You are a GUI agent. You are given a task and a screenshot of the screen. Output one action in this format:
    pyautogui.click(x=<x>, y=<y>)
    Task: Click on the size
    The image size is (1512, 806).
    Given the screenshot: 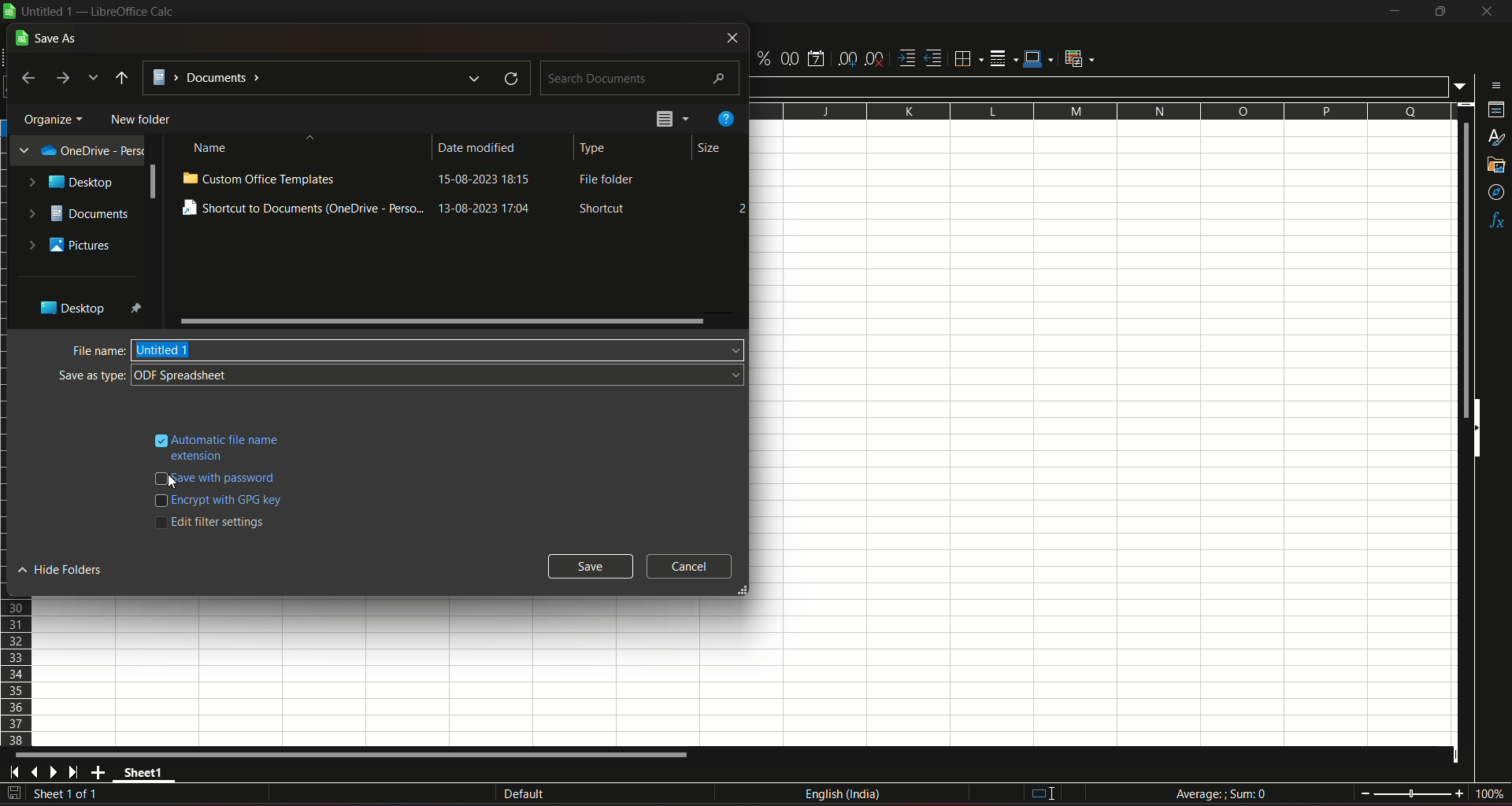 What is the action you would take?
    pyautogui.click(x=708, y=150)
    